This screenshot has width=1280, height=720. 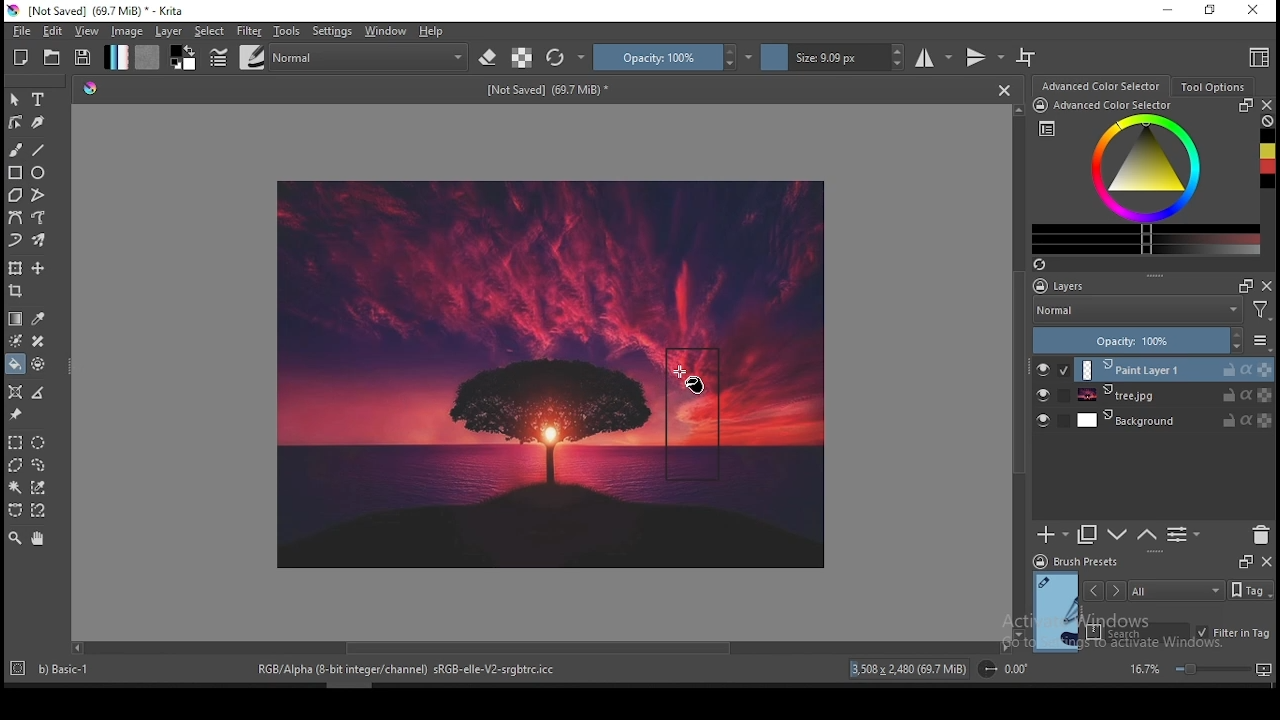 What do you see at coordinates (466, 373) in the screenshot?
I see `Image` at bounding box center [466, 373].